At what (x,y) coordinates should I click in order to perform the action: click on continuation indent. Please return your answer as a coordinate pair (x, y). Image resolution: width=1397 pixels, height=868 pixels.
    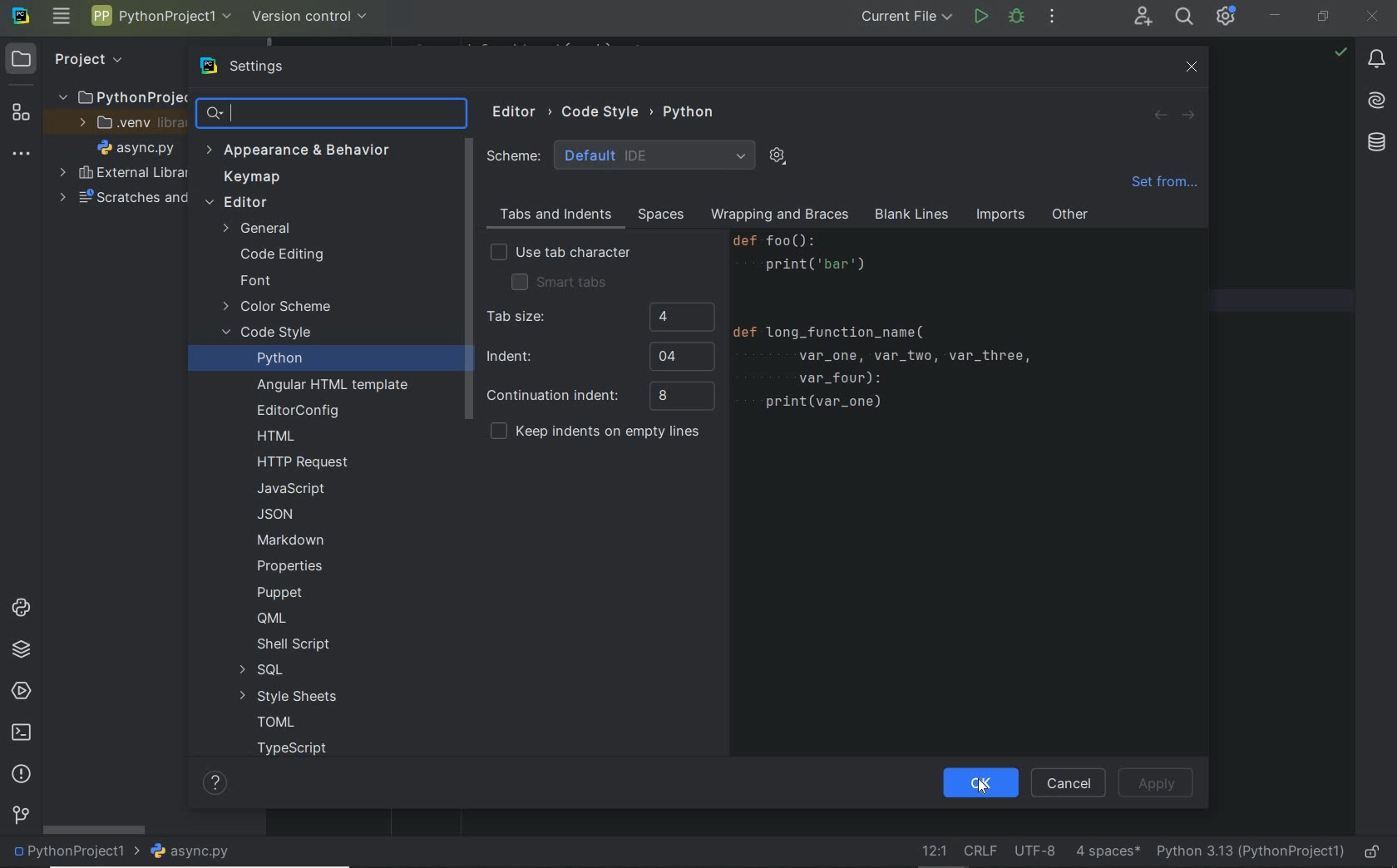
    Looking at the image, I should click on (600, 397).